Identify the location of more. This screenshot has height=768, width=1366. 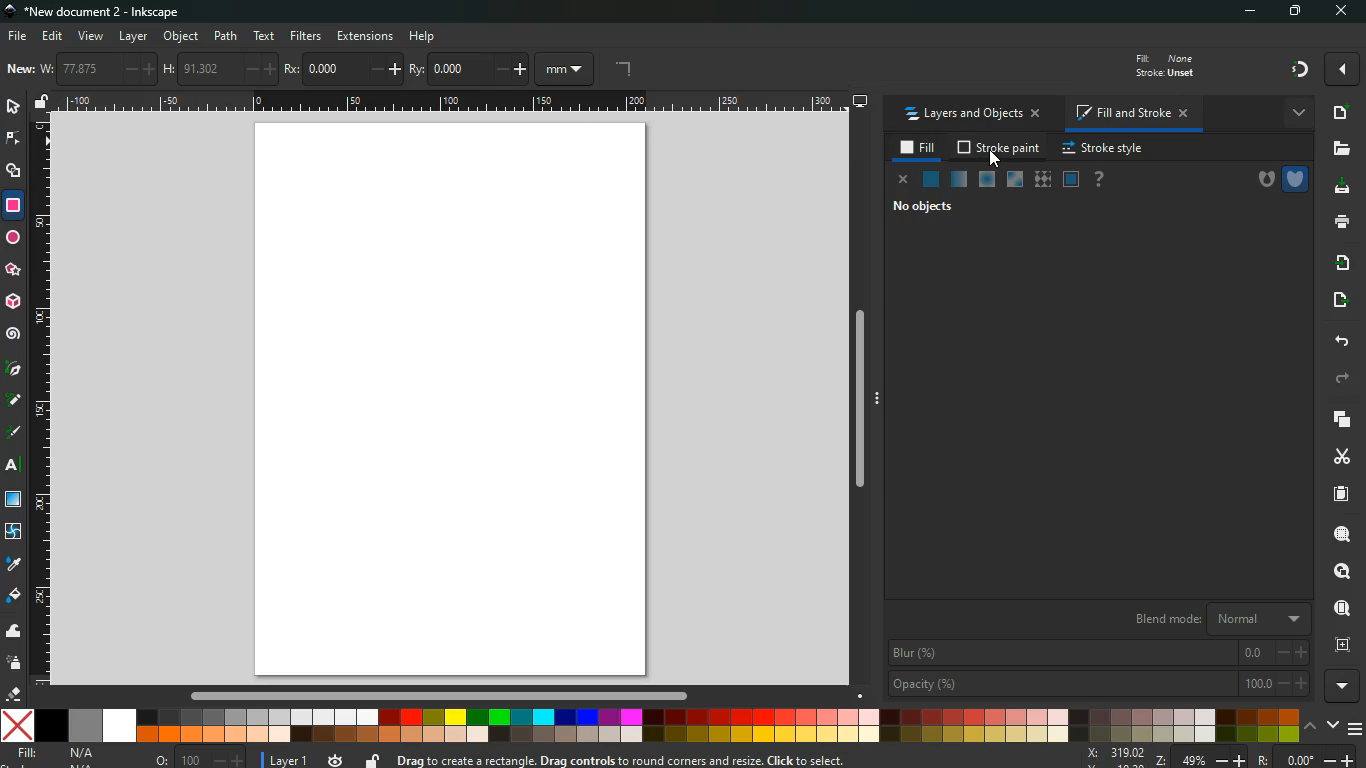
(1295, 114).